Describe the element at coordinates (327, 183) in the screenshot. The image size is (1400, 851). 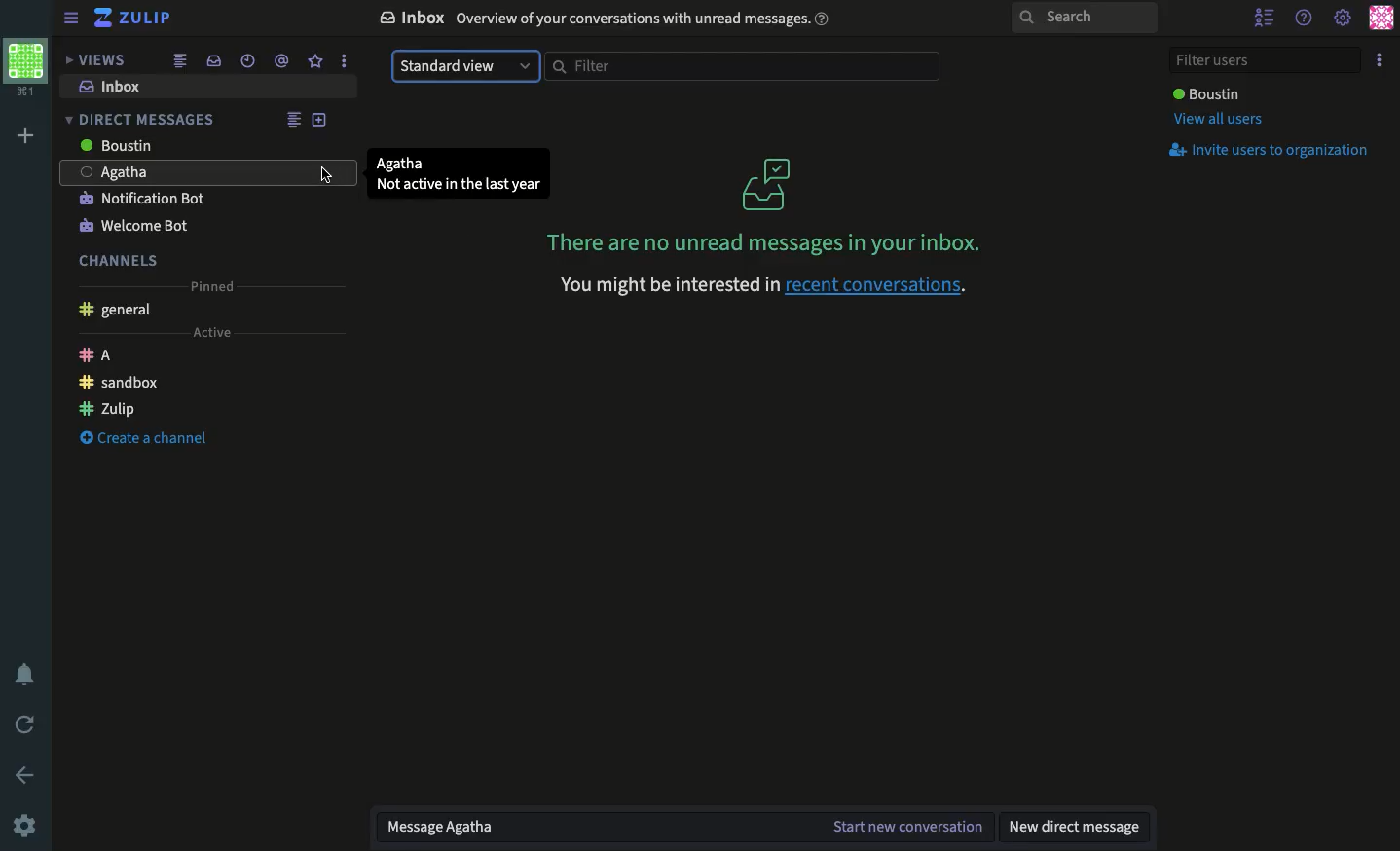
I see `cursor` at that location.